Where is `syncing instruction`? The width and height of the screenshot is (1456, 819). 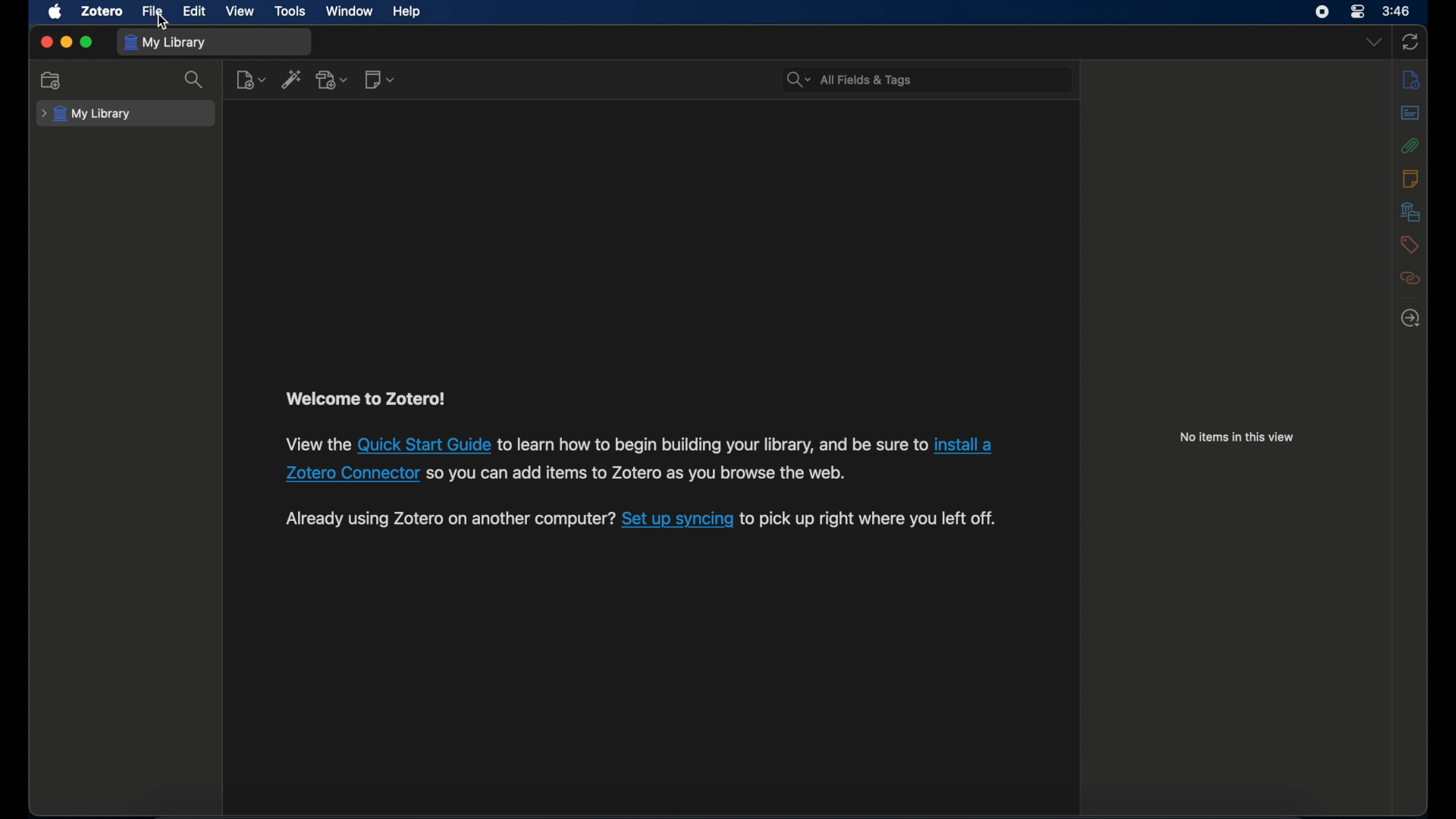 syncing instruction is located at coordinates (640, 519).